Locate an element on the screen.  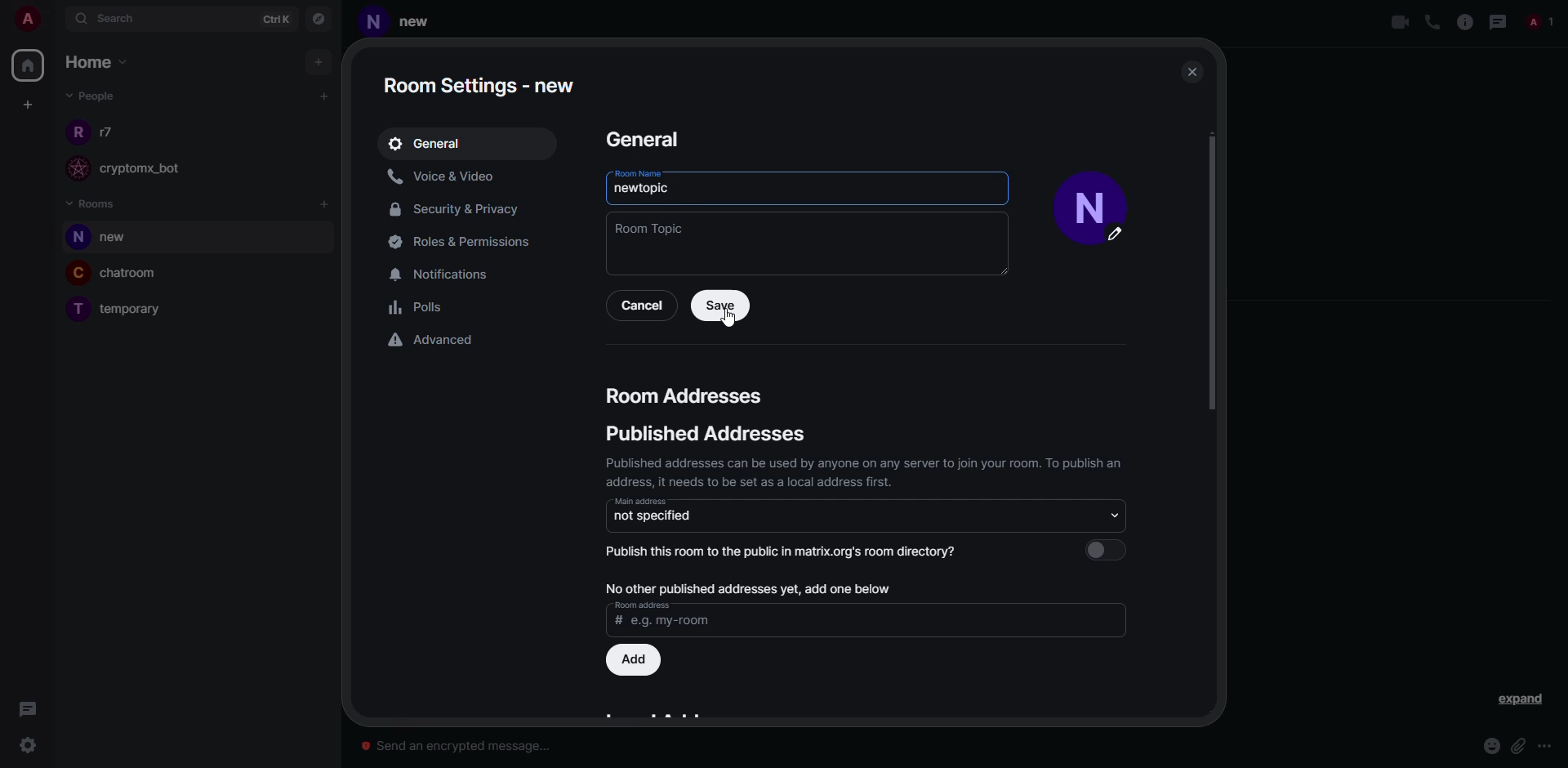
people is located at coordinates (89, 96).